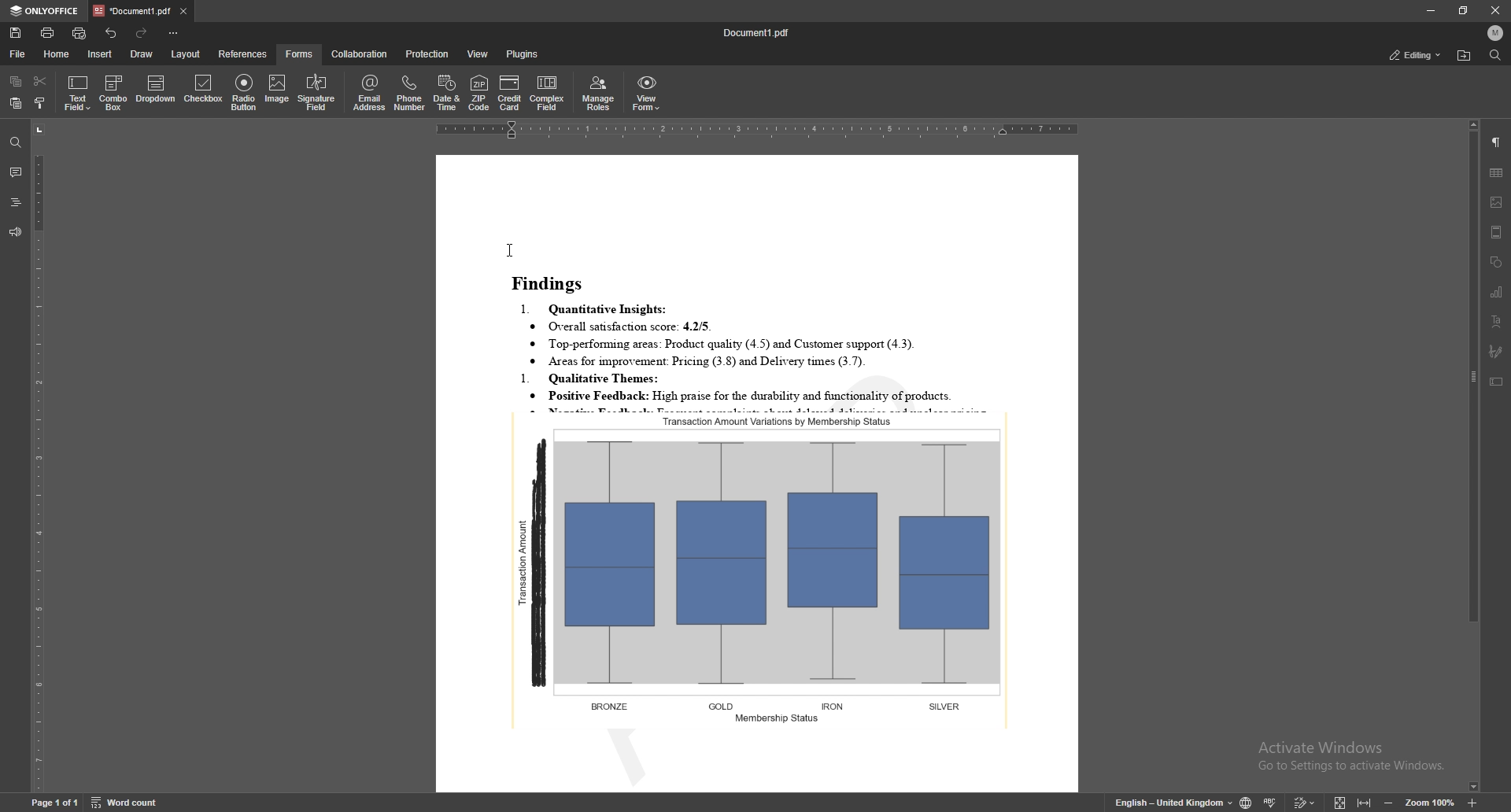 This screenshot has width=1511, height=812. I want to click on signature field, so click(1495, 352).